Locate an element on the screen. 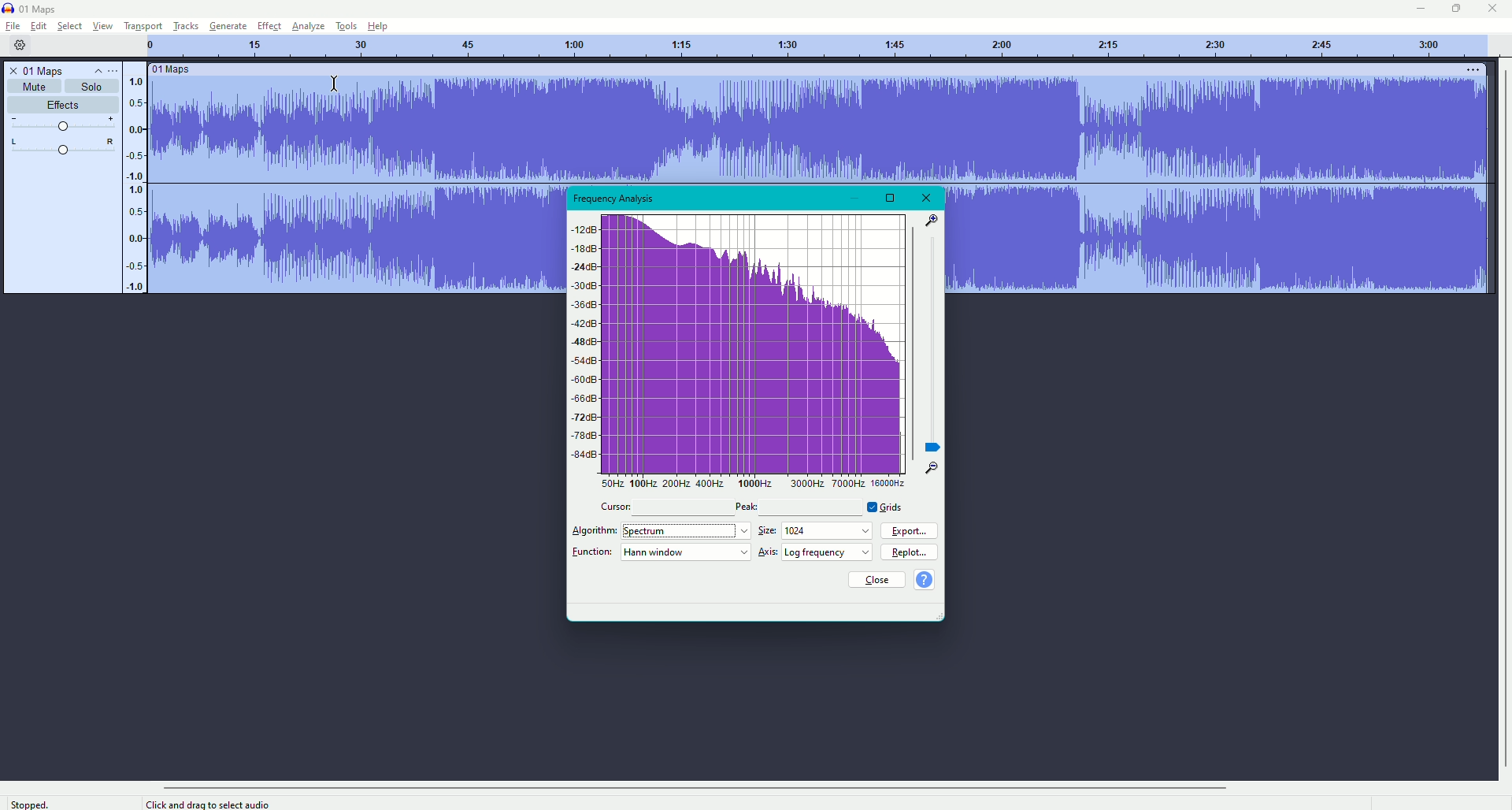 This screenshot has height=810, width=1512. Analyze is located at coordinates (306, 26).